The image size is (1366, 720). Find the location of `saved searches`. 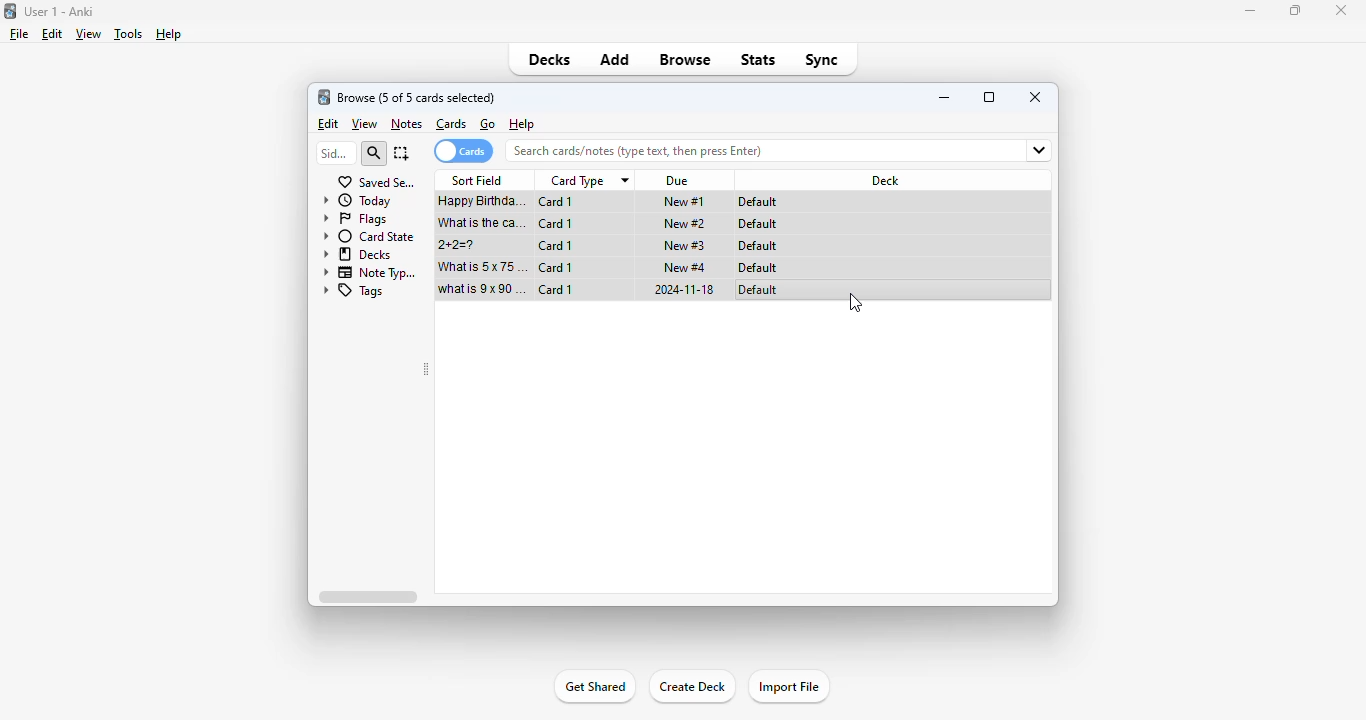

saved searches is located at coordinates (377, 182).